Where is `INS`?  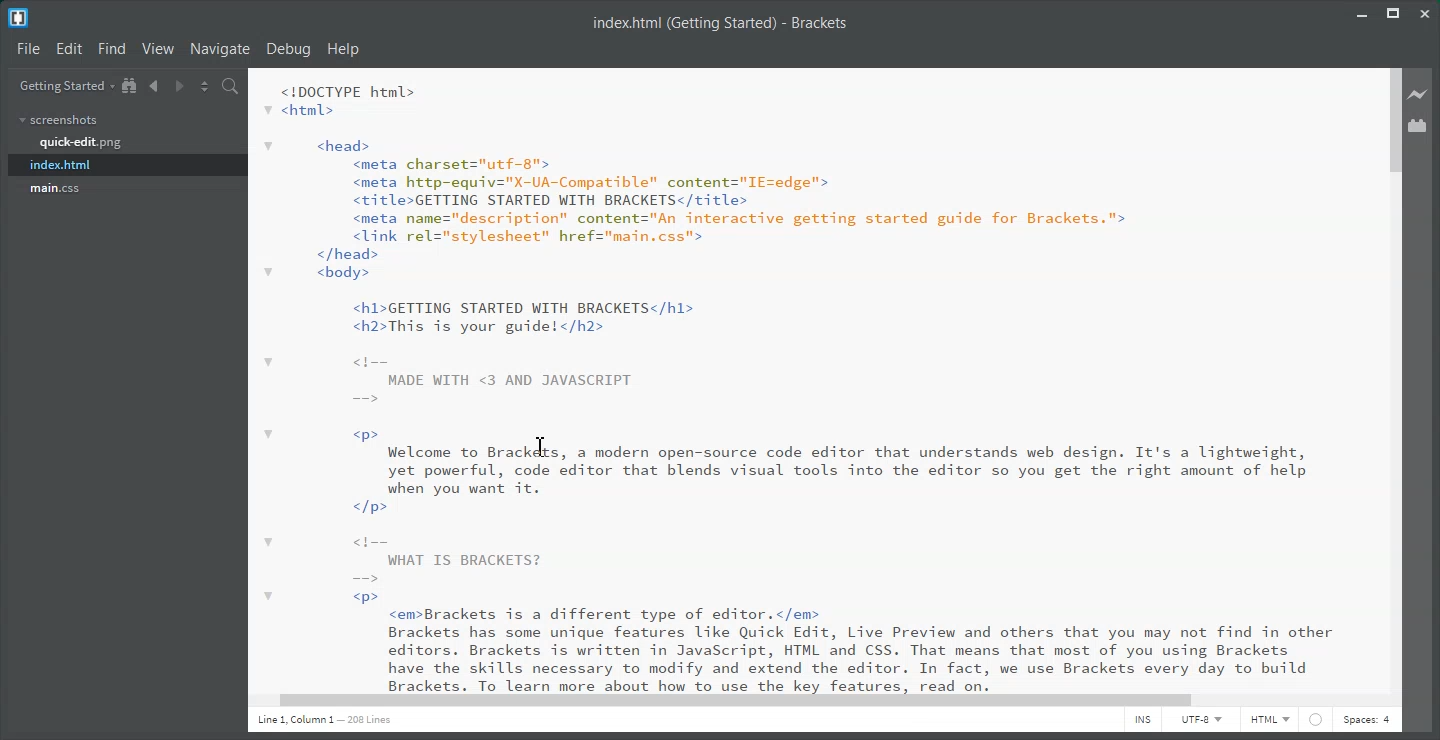
INS is located at coordinates (1143, 721).